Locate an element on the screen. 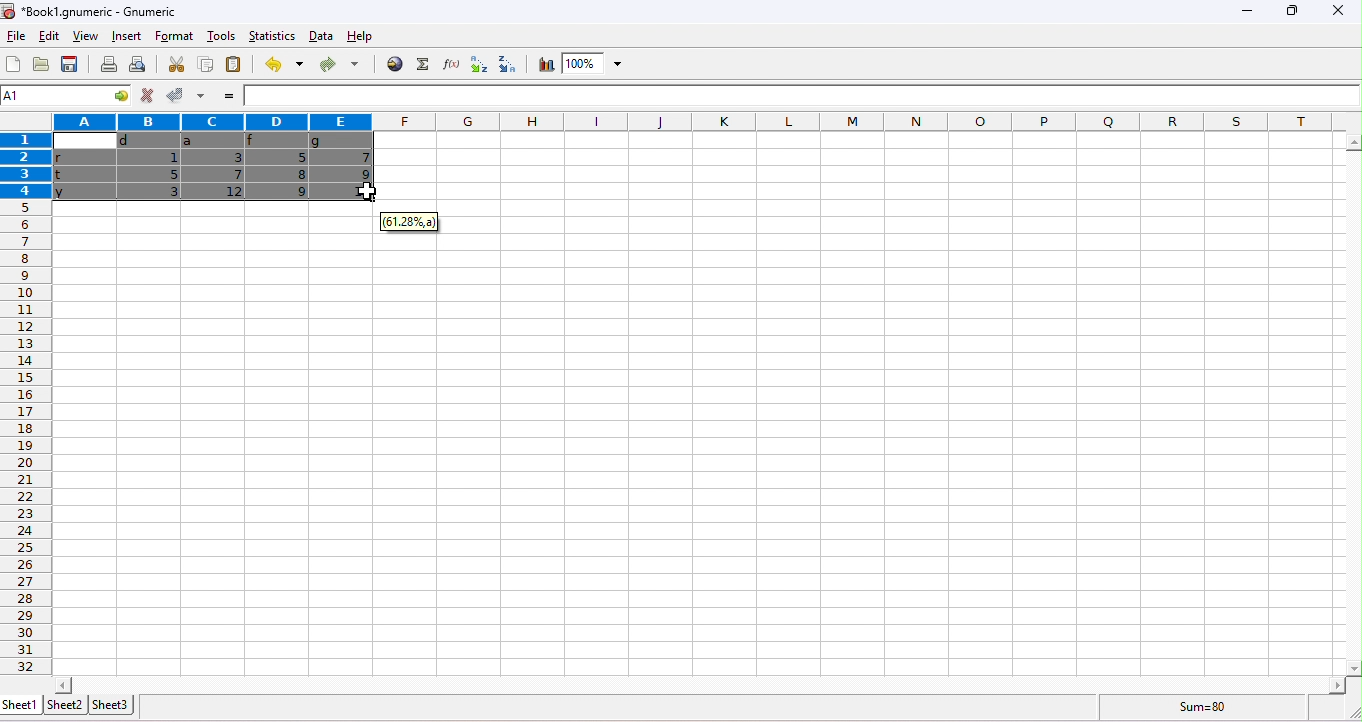  hyperlink is located at coordinates (392, 63).